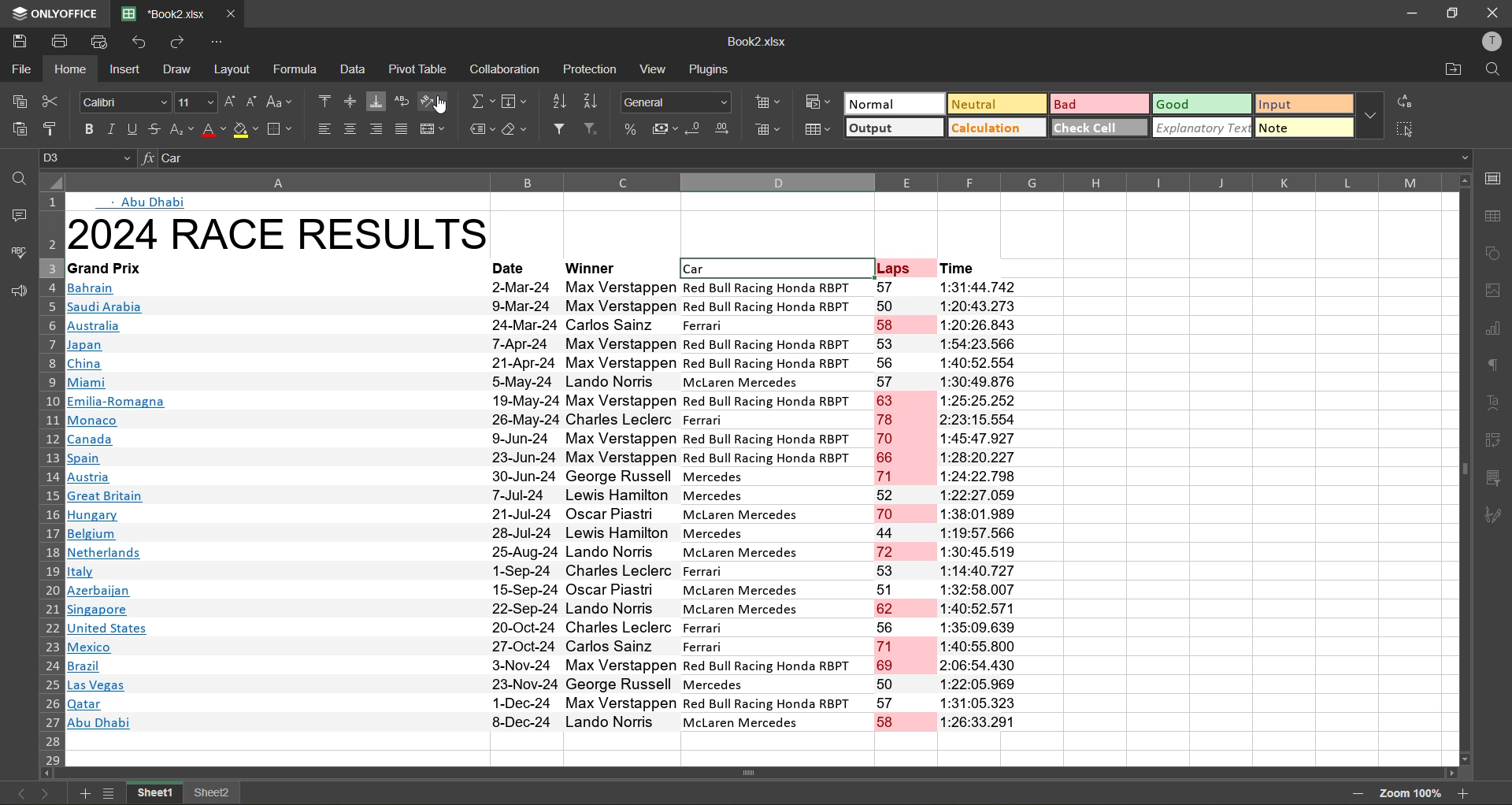 Image resolution: width=1512 pixels, height=805 pixels. I want to click on bad, so click(1099, 105).